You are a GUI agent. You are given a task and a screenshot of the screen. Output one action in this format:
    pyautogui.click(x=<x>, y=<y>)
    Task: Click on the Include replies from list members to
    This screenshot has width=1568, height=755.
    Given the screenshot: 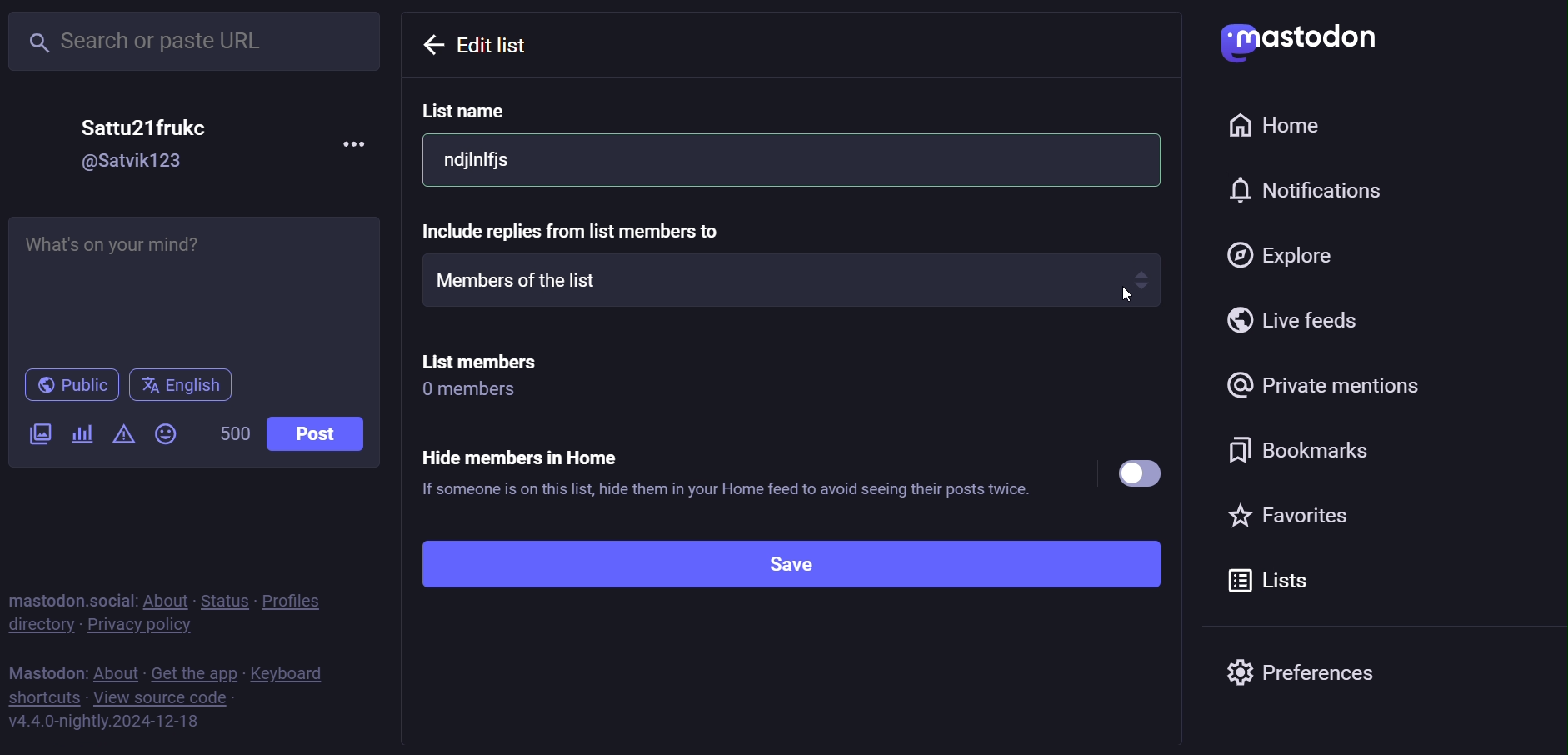 What is the action you would take?
    pyautogui.click(x=608, y=229)
    